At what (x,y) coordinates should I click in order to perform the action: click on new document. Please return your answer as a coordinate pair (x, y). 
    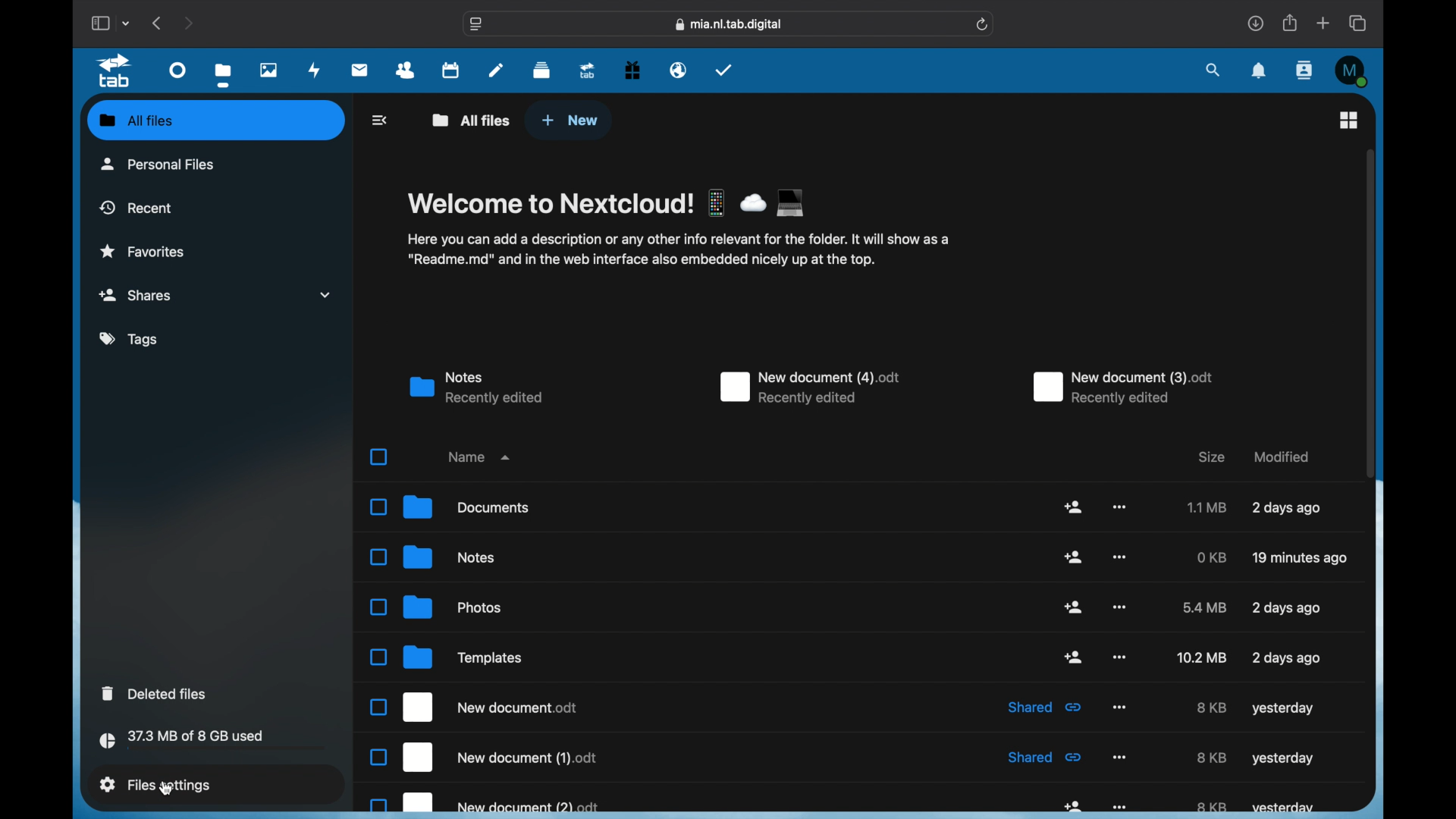
    Looking at the image, I should click on (1122, 388).